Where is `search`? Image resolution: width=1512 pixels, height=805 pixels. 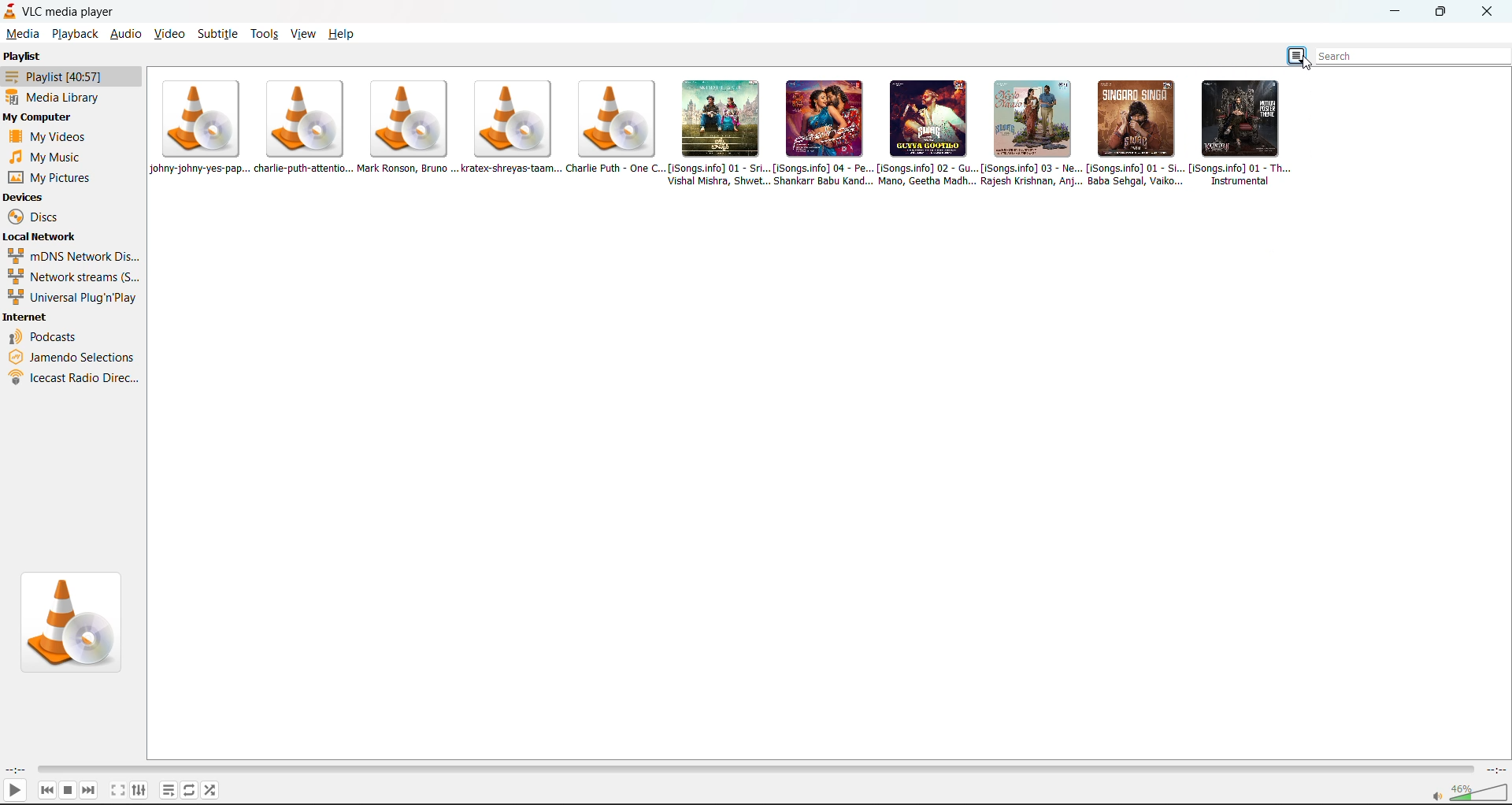
search is located at coordinates (1408, 54).